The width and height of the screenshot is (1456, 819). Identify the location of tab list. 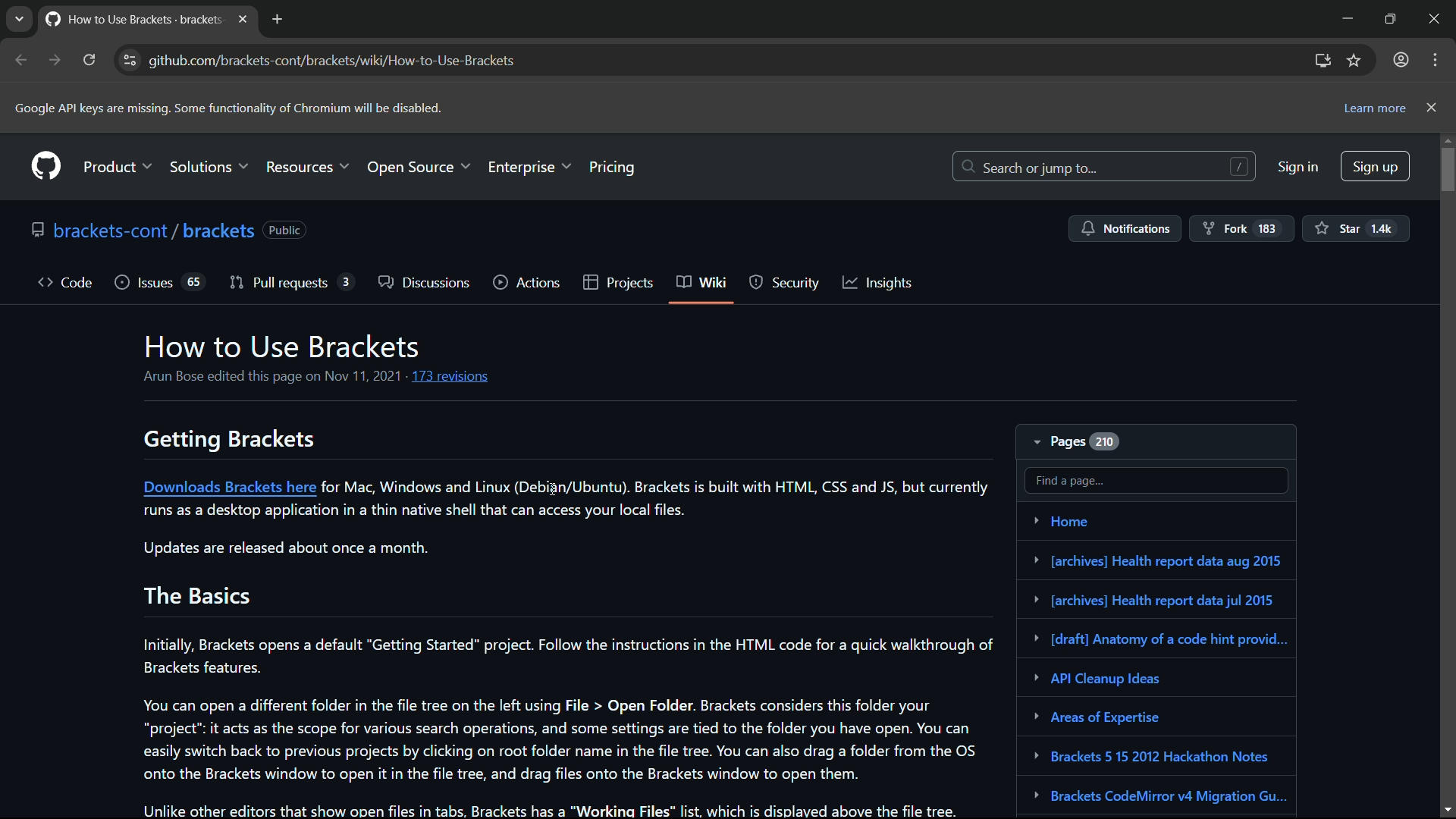
(19, 18).